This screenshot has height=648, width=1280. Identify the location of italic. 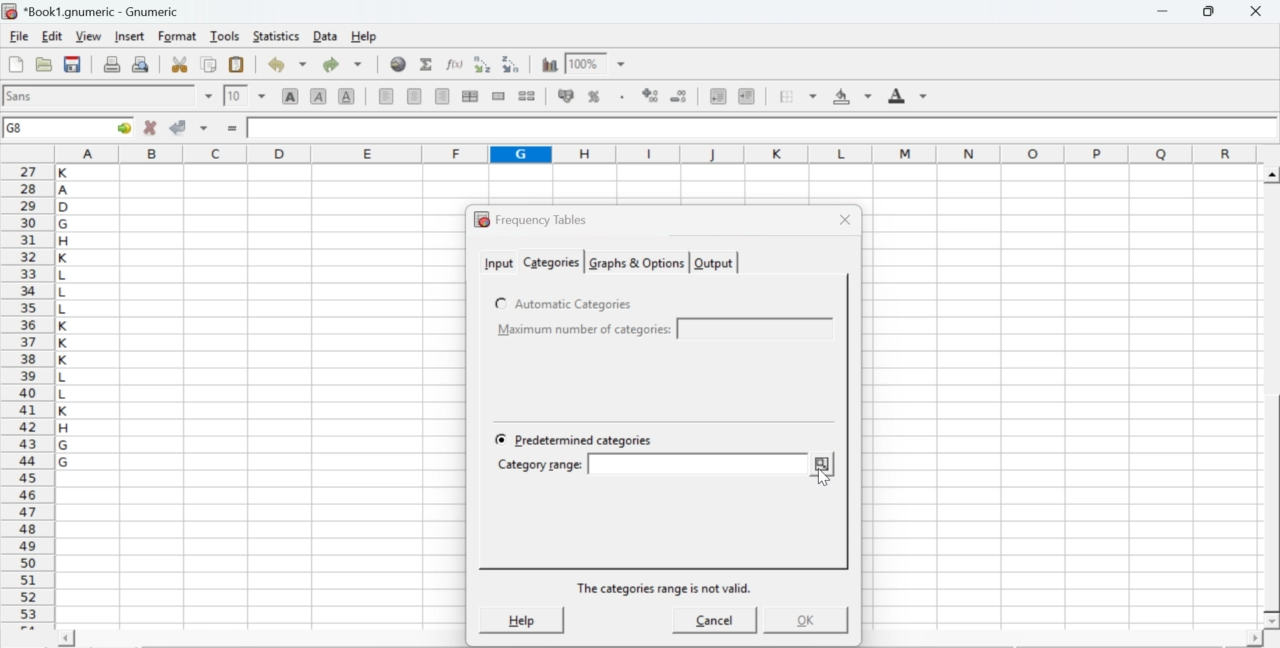
(320, 95).